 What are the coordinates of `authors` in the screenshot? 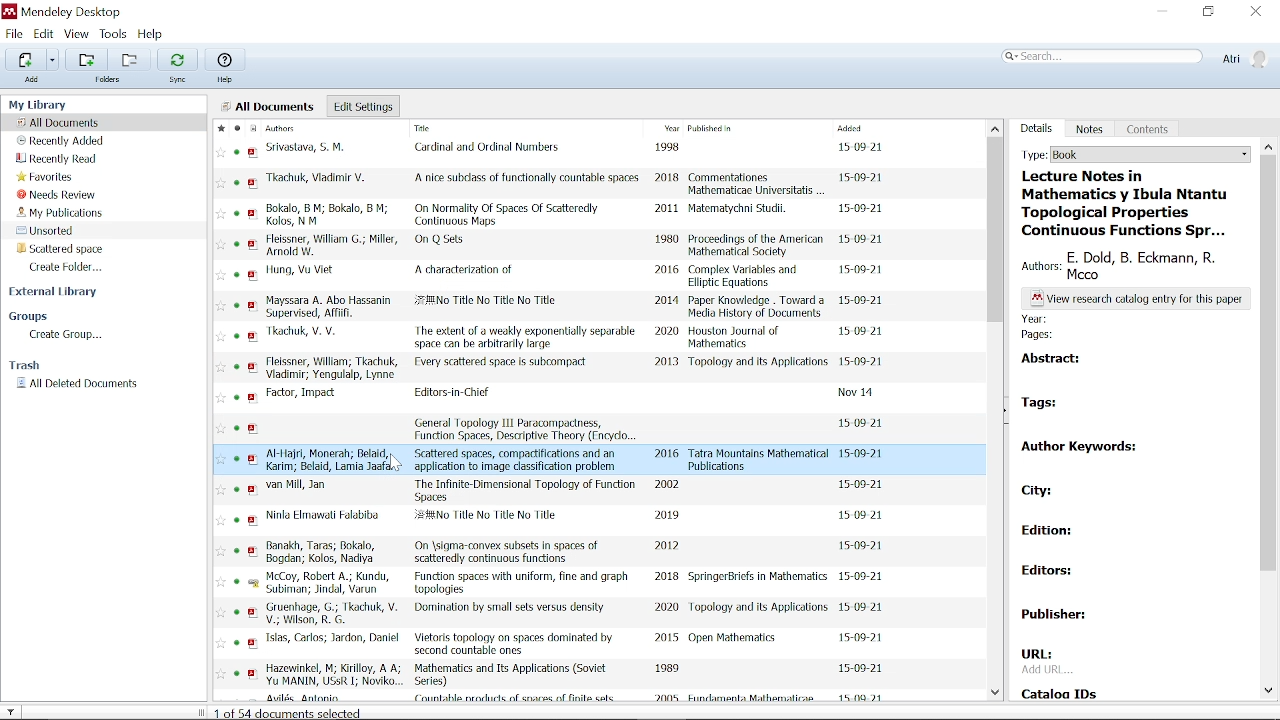 It's located at (335, 459).